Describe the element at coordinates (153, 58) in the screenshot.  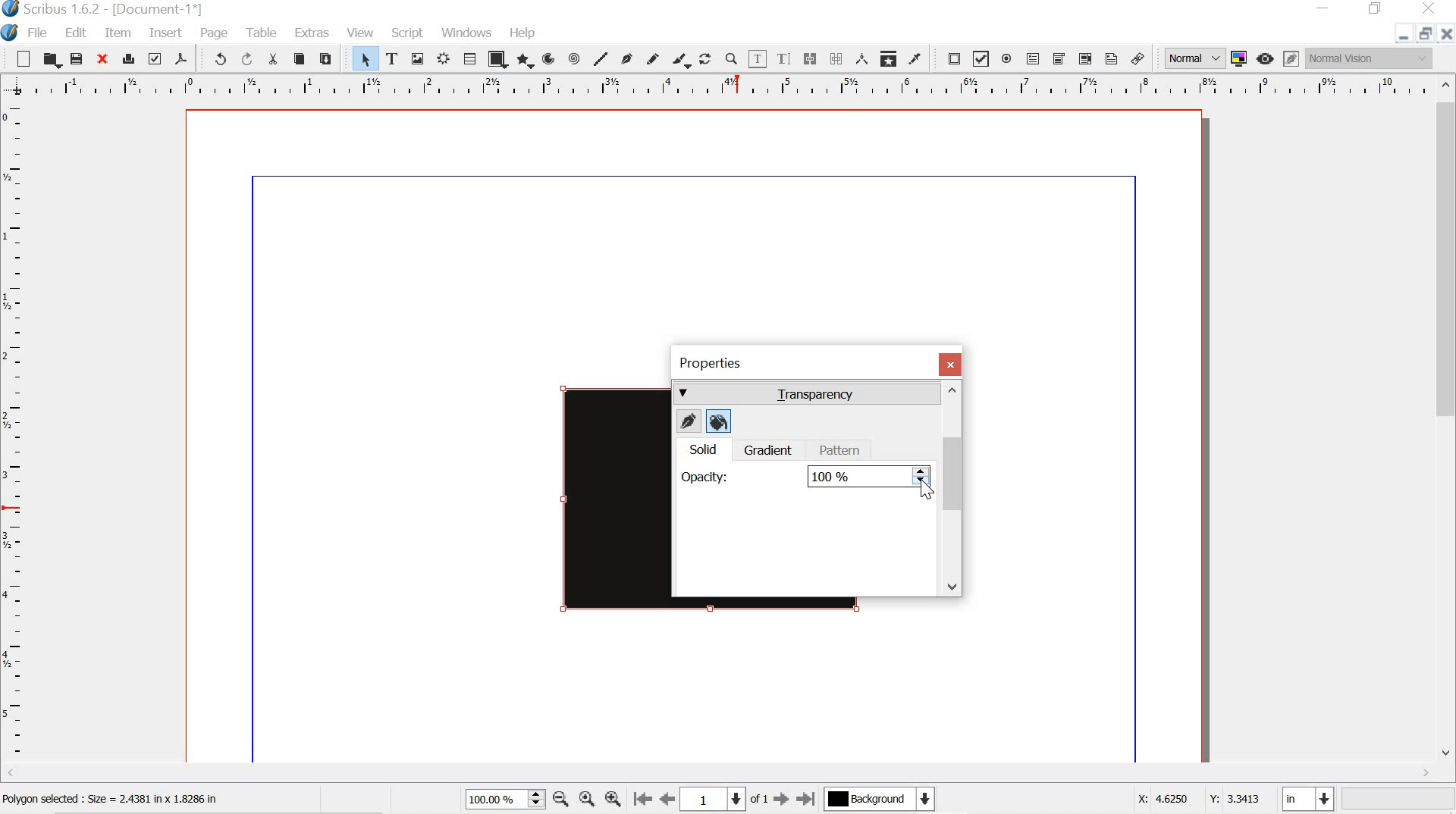
I see `preflight verifier` at that location.